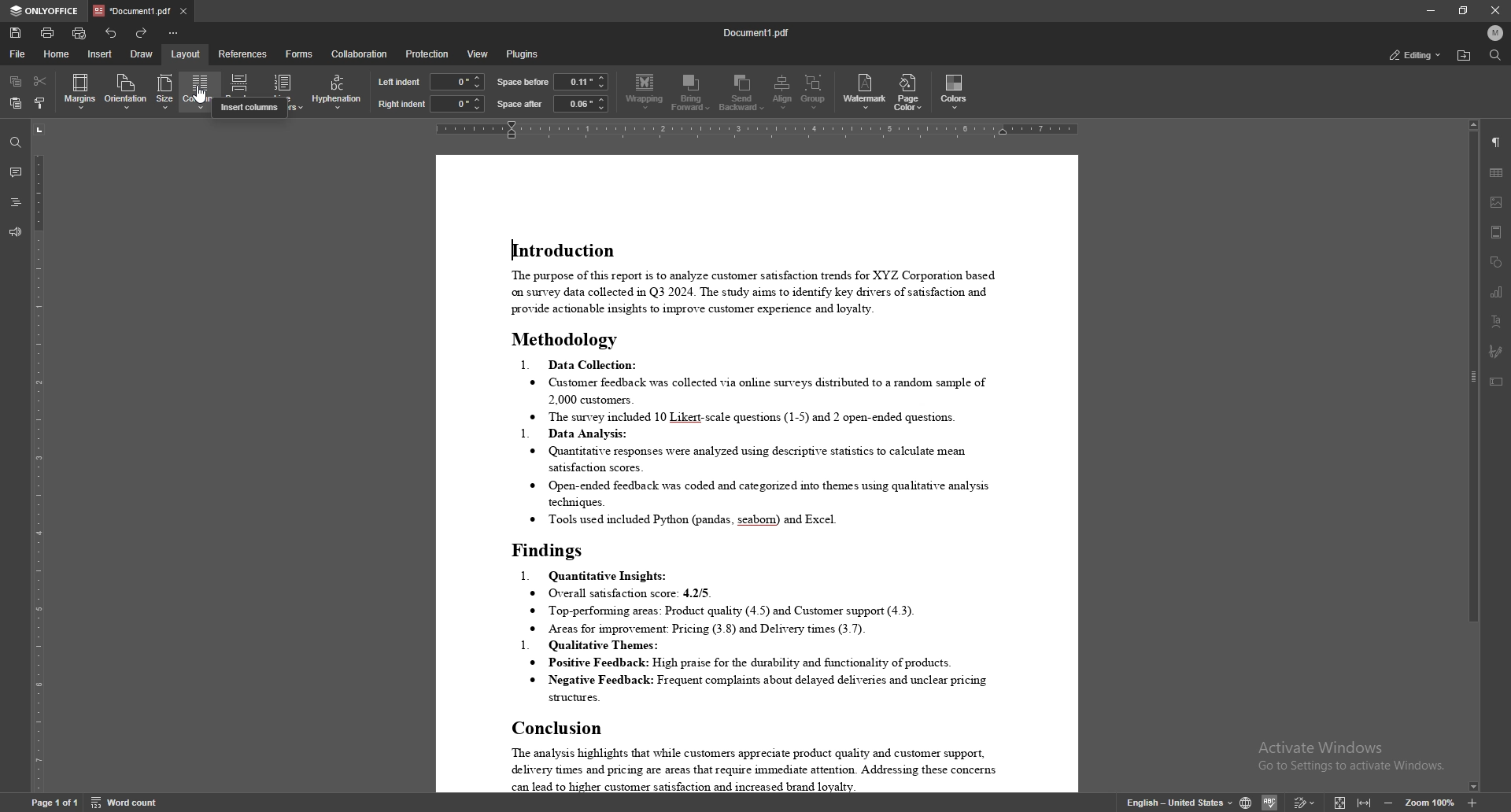 This screenshot has width=1511, height=812. What do you see at coordinates (581, 103) in the screenshot?
I see `space after input` at bounding box center [581, 103].